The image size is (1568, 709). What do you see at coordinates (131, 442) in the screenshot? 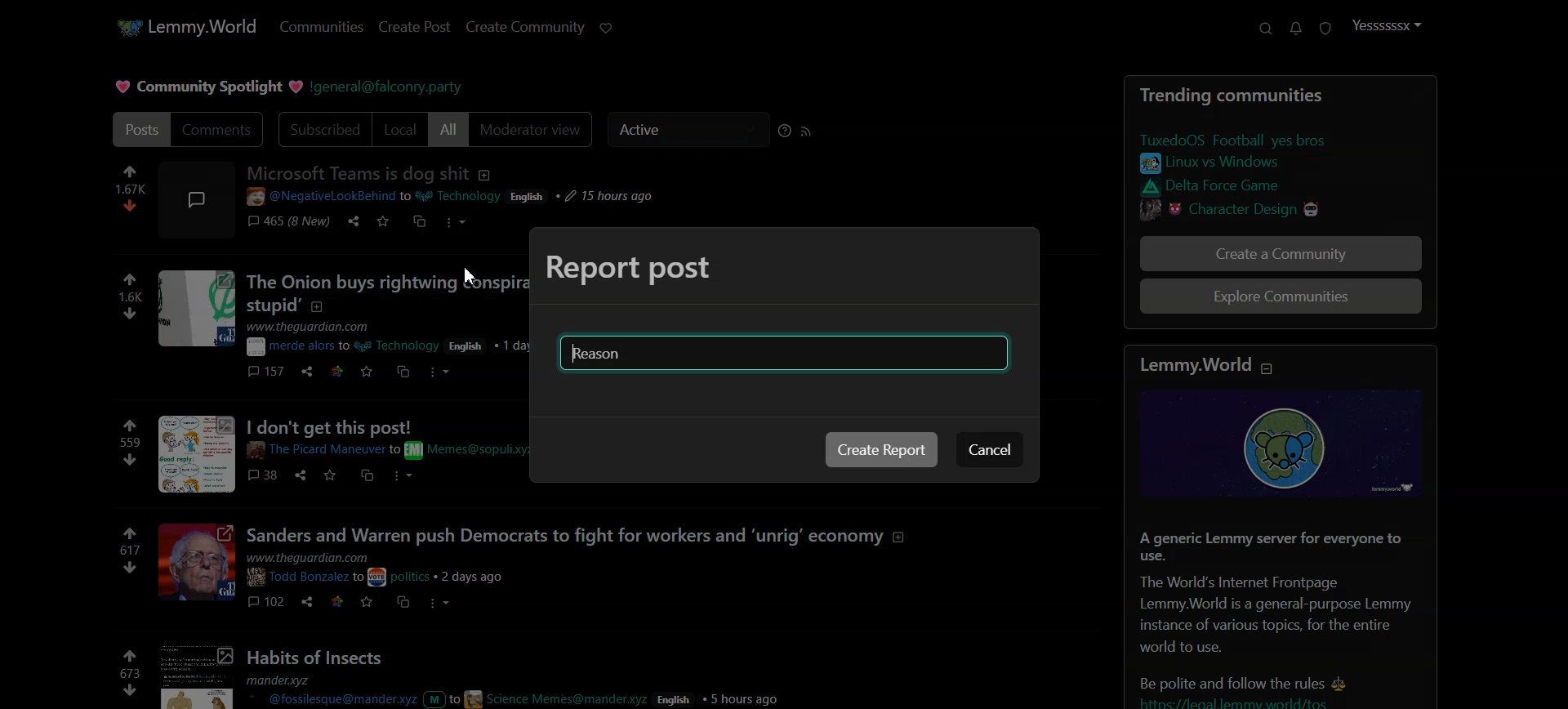
I see `numbers` at bounding box center [131, 442].